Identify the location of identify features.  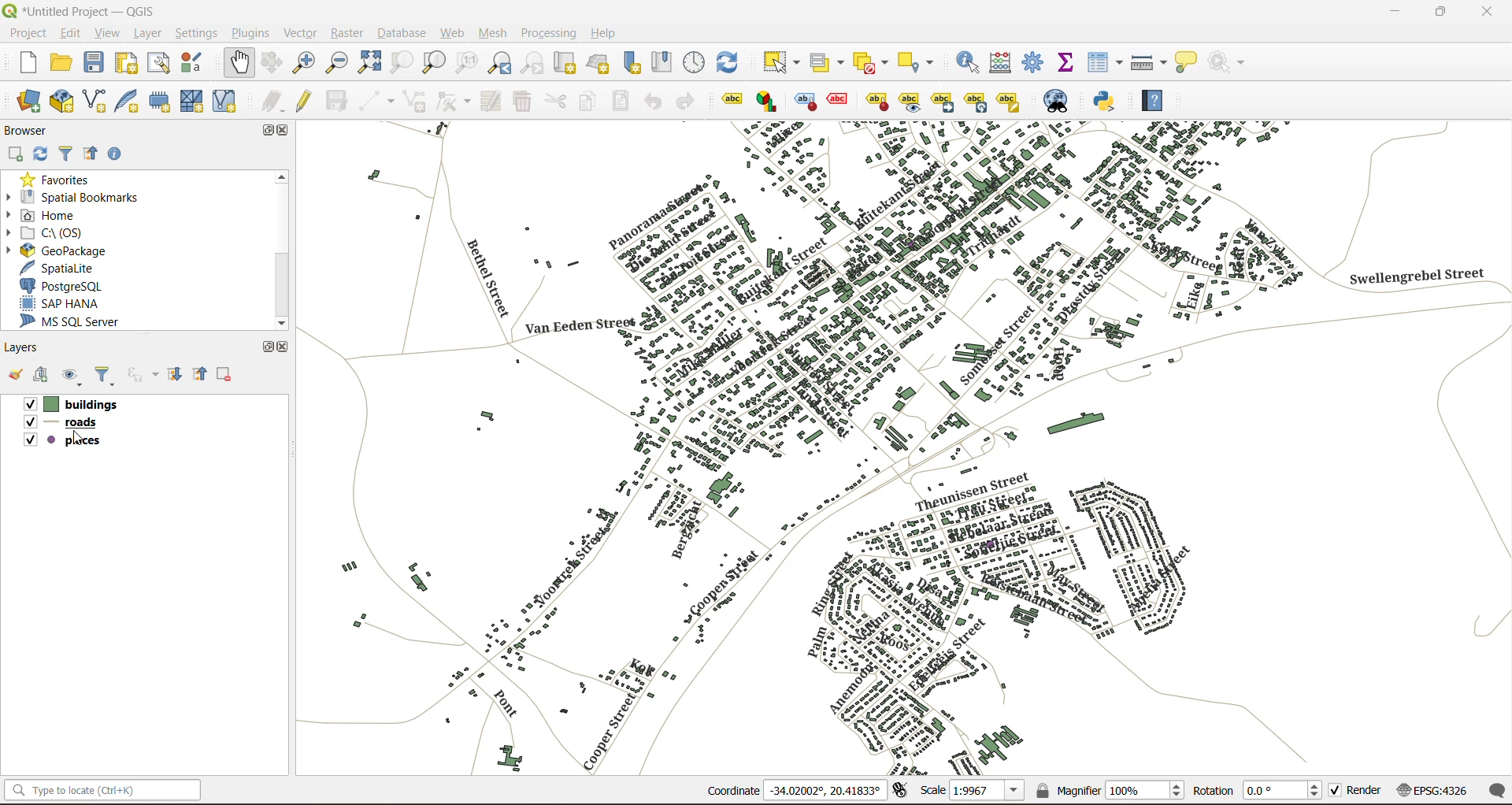
(969, 65).